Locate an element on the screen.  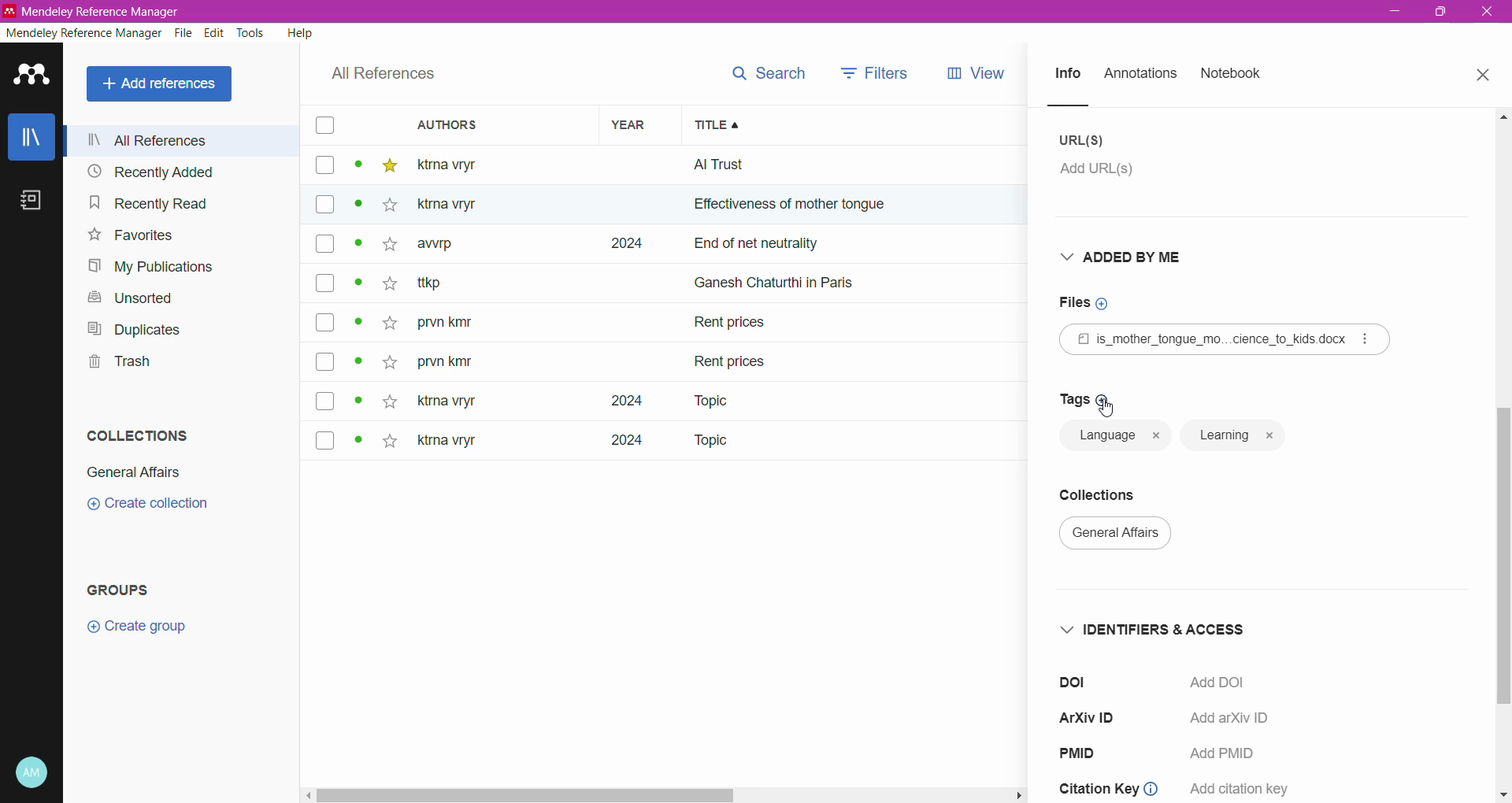
dot  is located at coordinates (354, 442).